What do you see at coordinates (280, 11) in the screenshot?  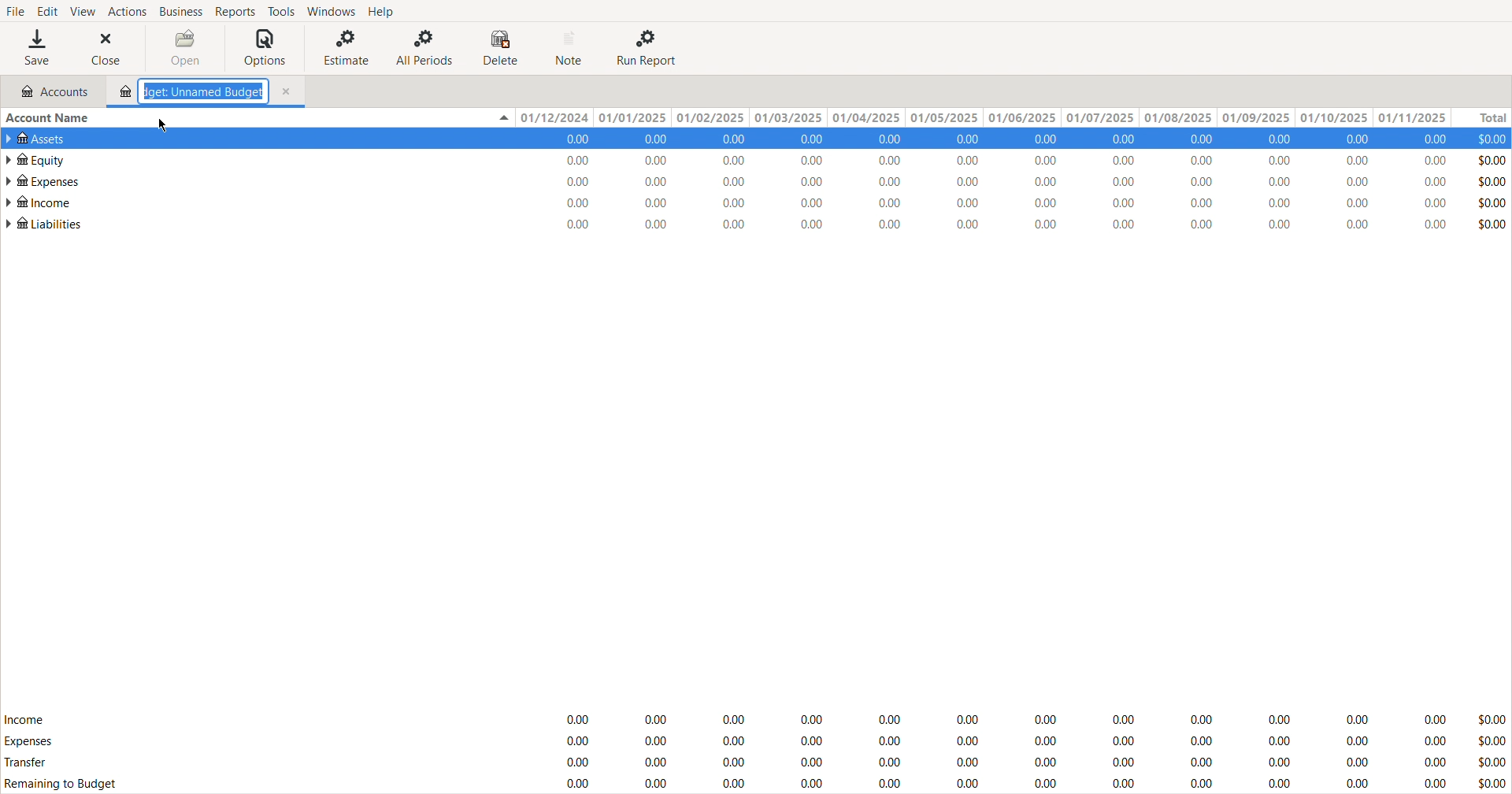 I see `Tools` at bounding box center [280, 11].